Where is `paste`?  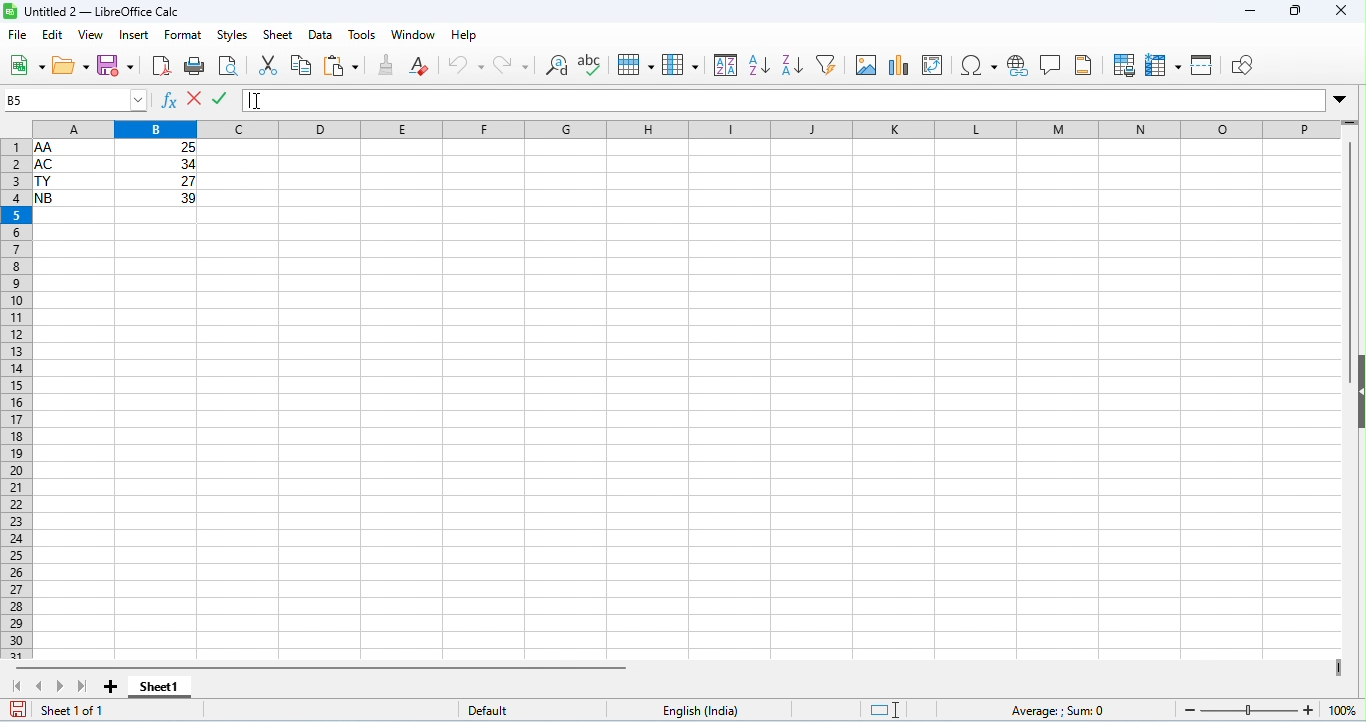
paste is located at coordinates (342, 65).